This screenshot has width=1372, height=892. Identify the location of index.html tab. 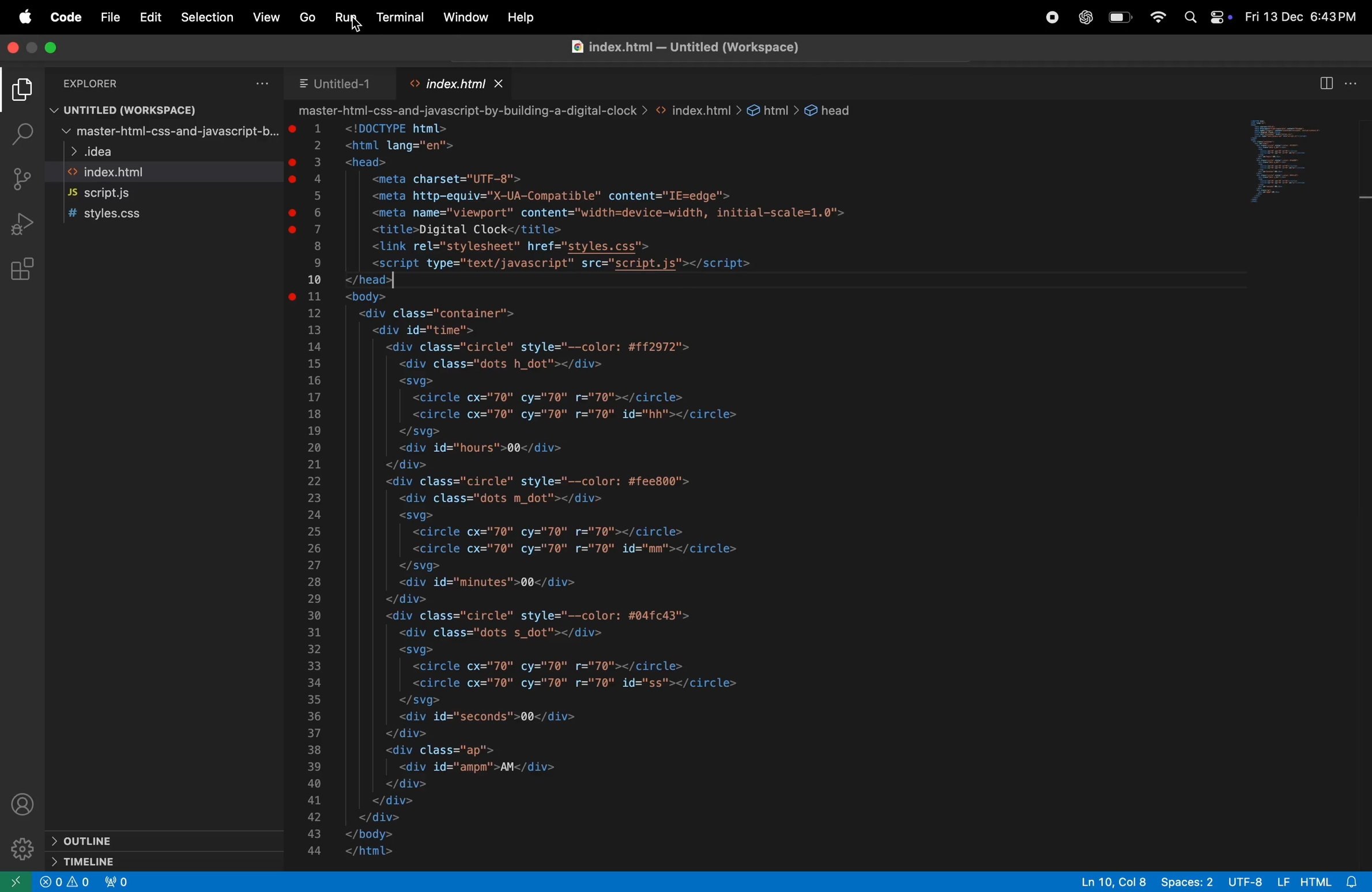
(457, 85).